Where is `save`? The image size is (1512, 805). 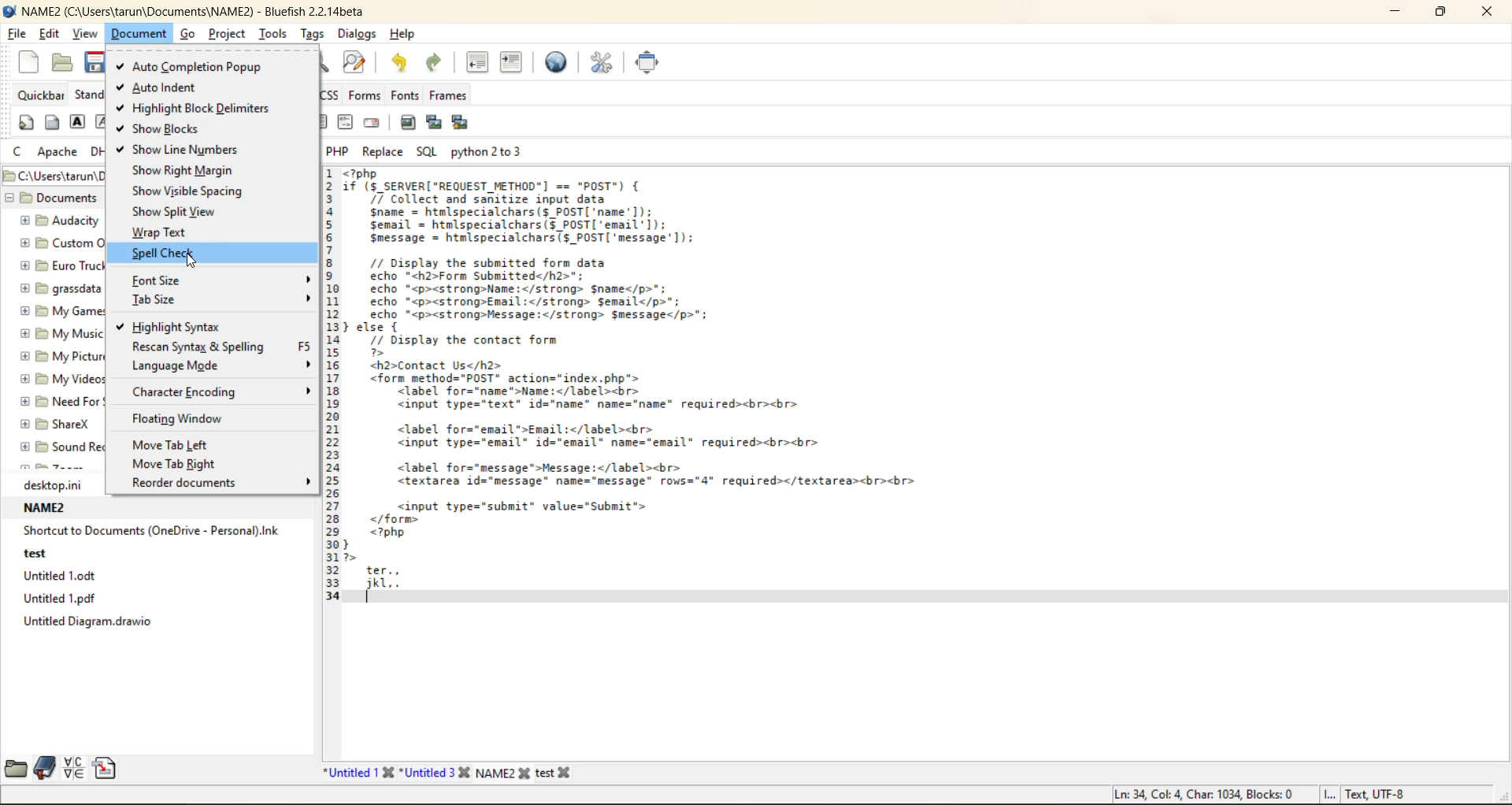 save is located at coordinates (95, 62).